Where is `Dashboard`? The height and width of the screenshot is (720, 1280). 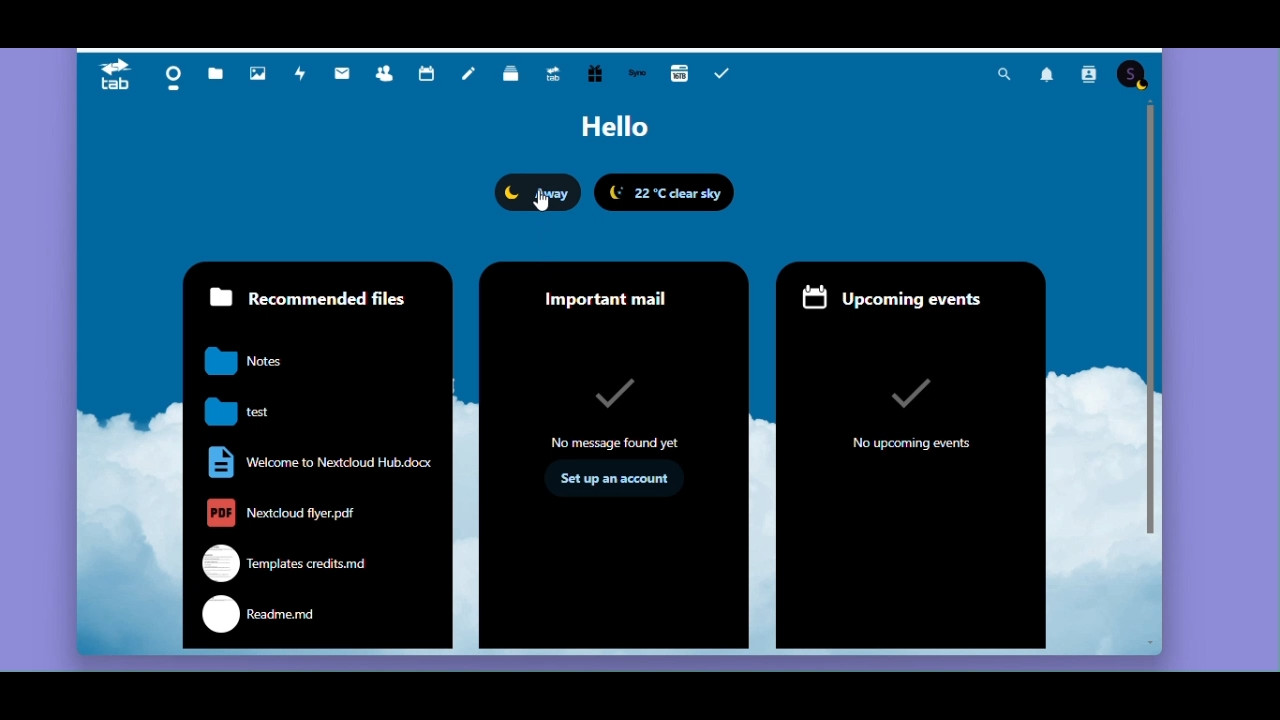
Dashboard is located at coordinates (170, 77).